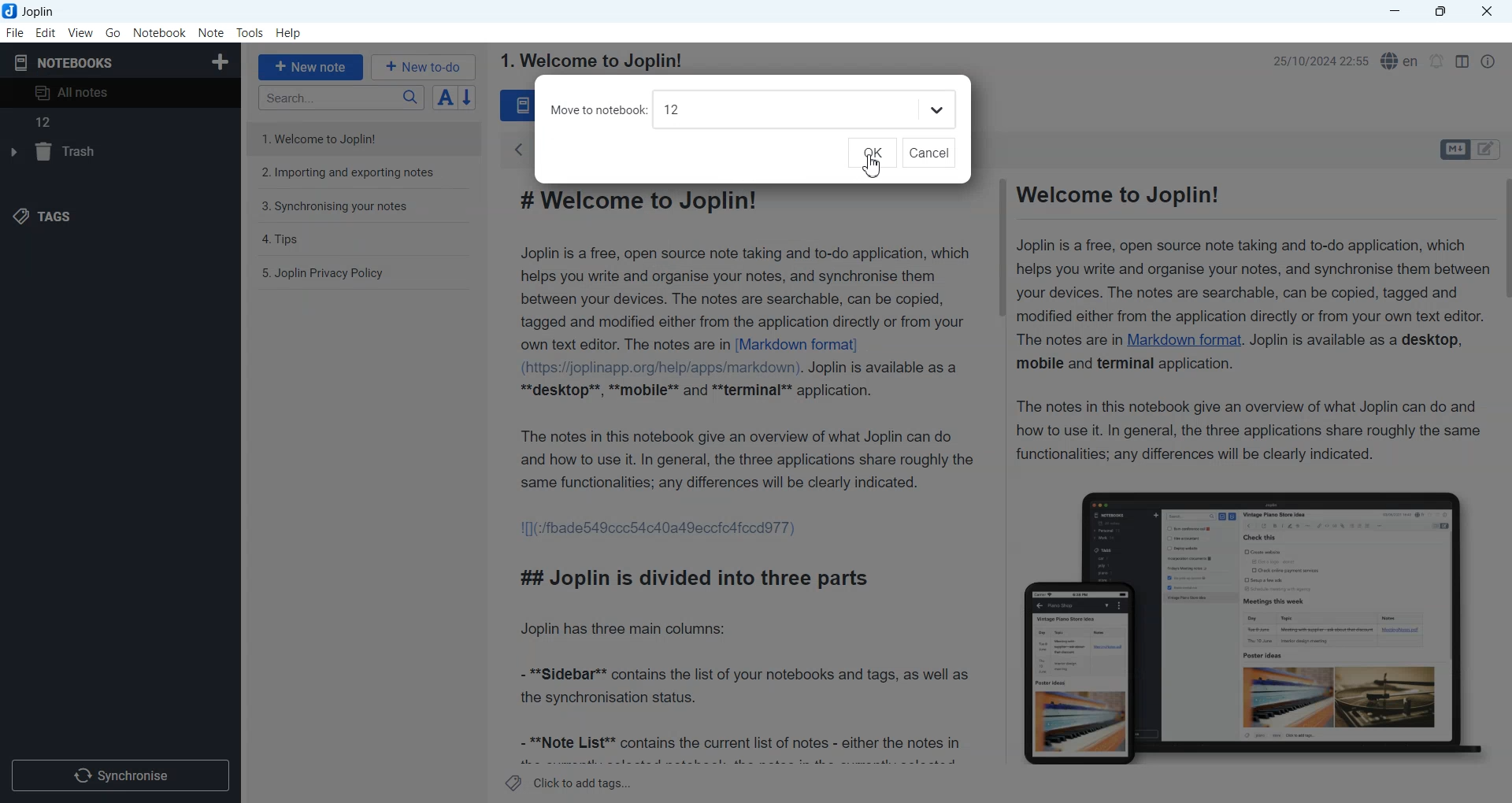 The width and height of the screenshot is (1512, 803). I want to click on 1. Welcome to Joplin!, so click(332, 138).